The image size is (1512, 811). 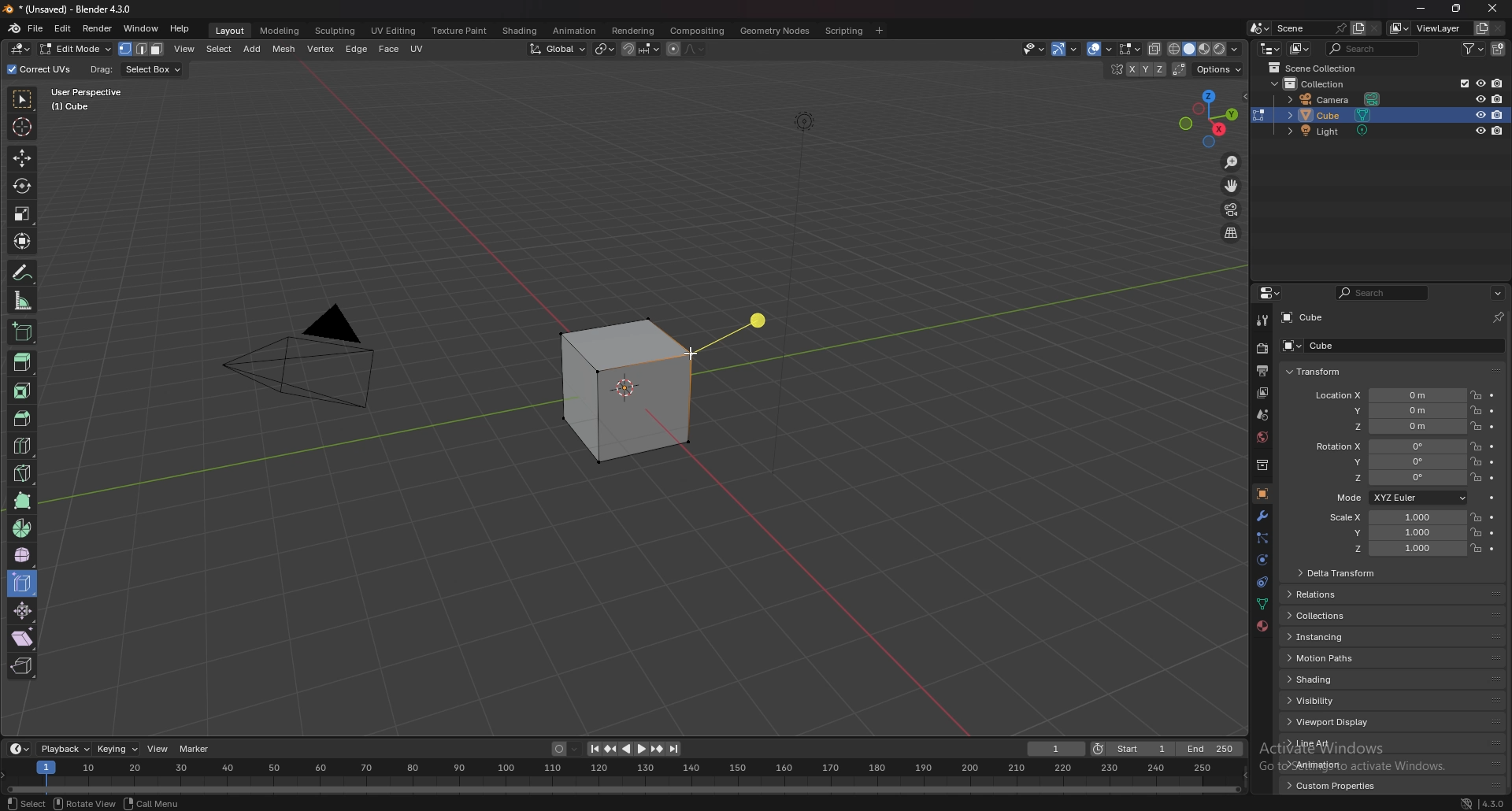 What do you see at coordinates (1421, 9) in the screenshot?
I see `minimize` at bounding box center [1421, 9].